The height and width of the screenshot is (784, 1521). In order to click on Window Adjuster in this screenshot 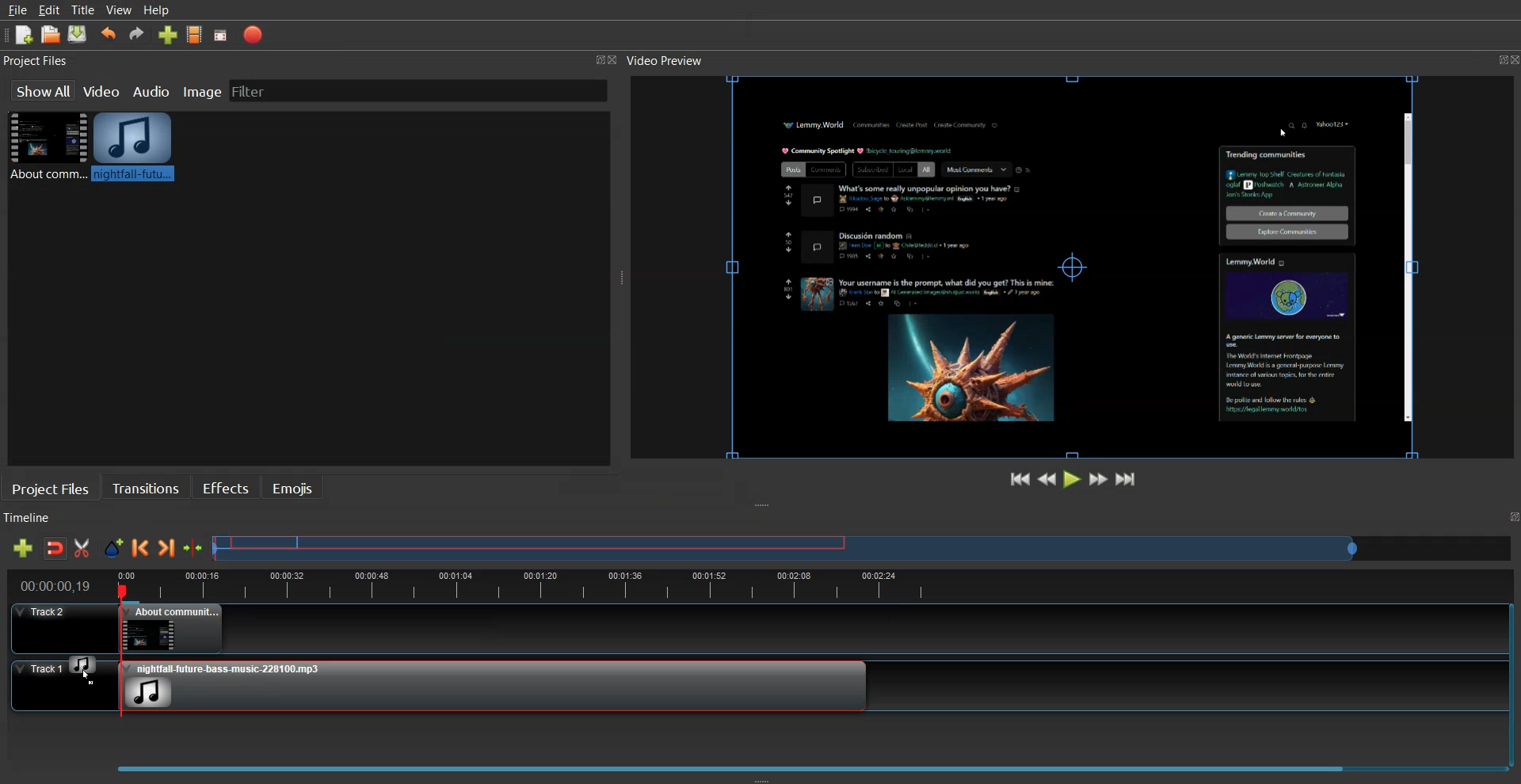, I will do `click(764, 506)`.